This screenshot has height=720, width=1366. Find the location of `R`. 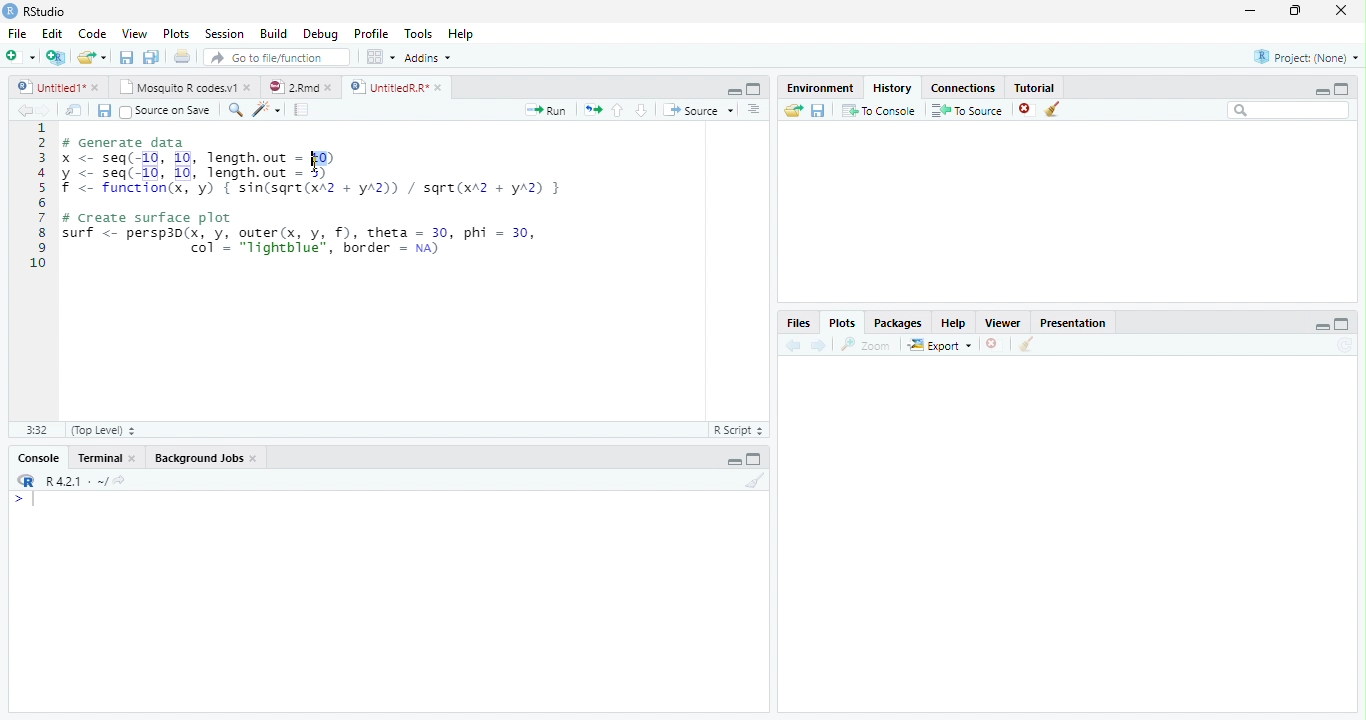

R is located at coordinates (24, 480).